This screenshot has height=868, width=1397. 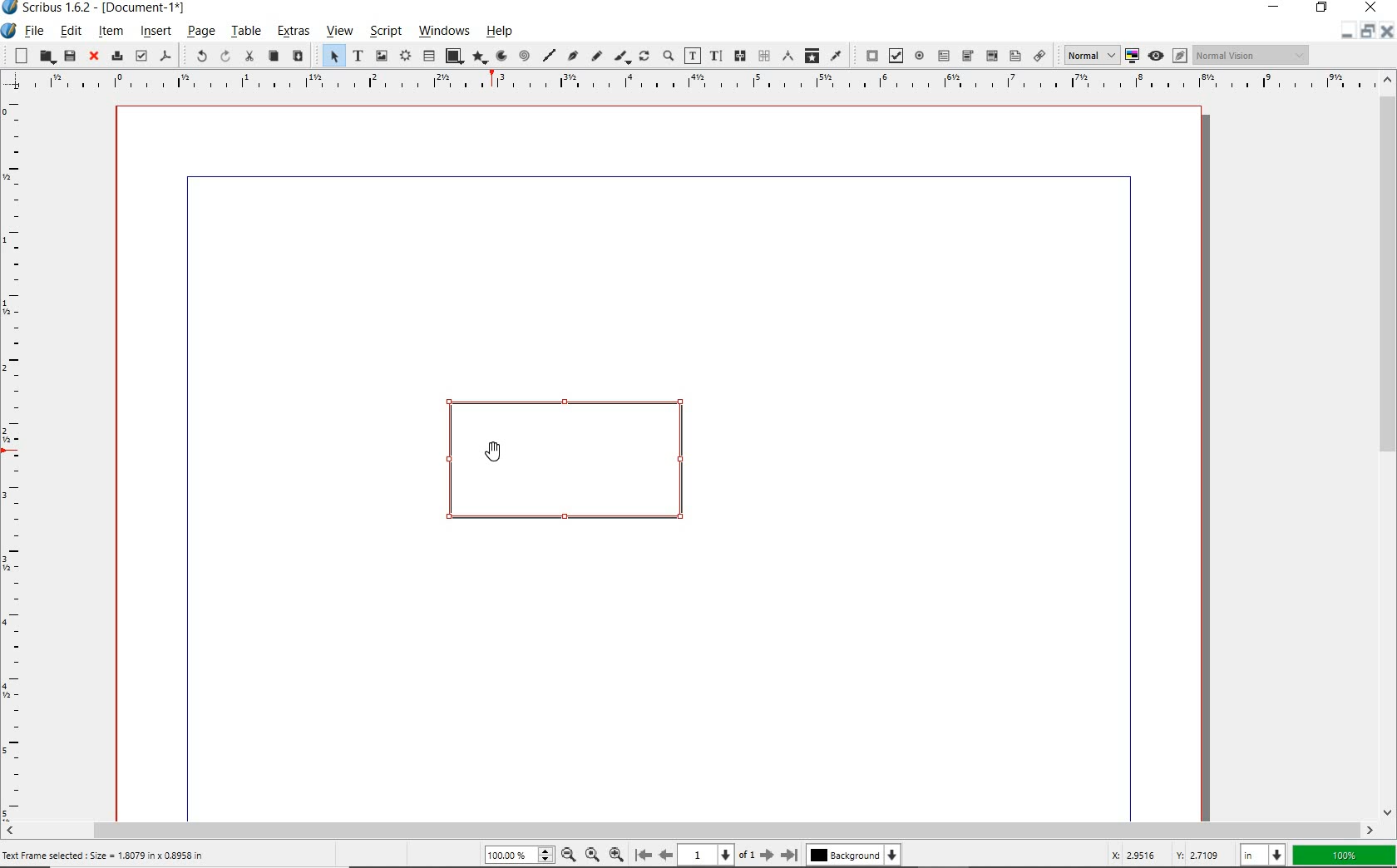 What do you see at coordinates (692, 57) in the screenshot?
I see `edit contents of frame` at bounding box center [692, 57].